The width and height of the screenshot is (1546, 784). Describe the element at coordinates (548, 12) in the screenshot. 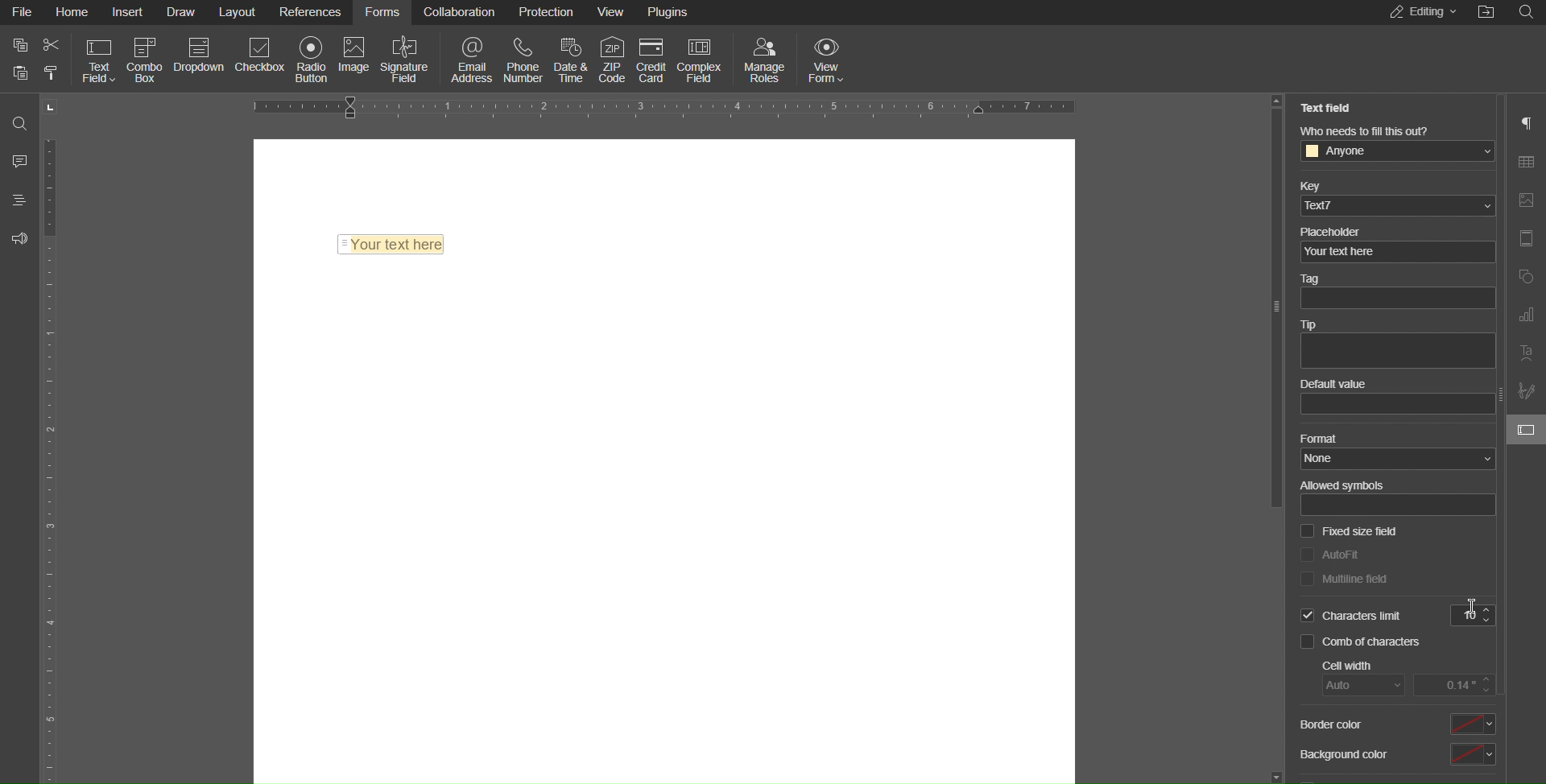

I see `protection` at that location.